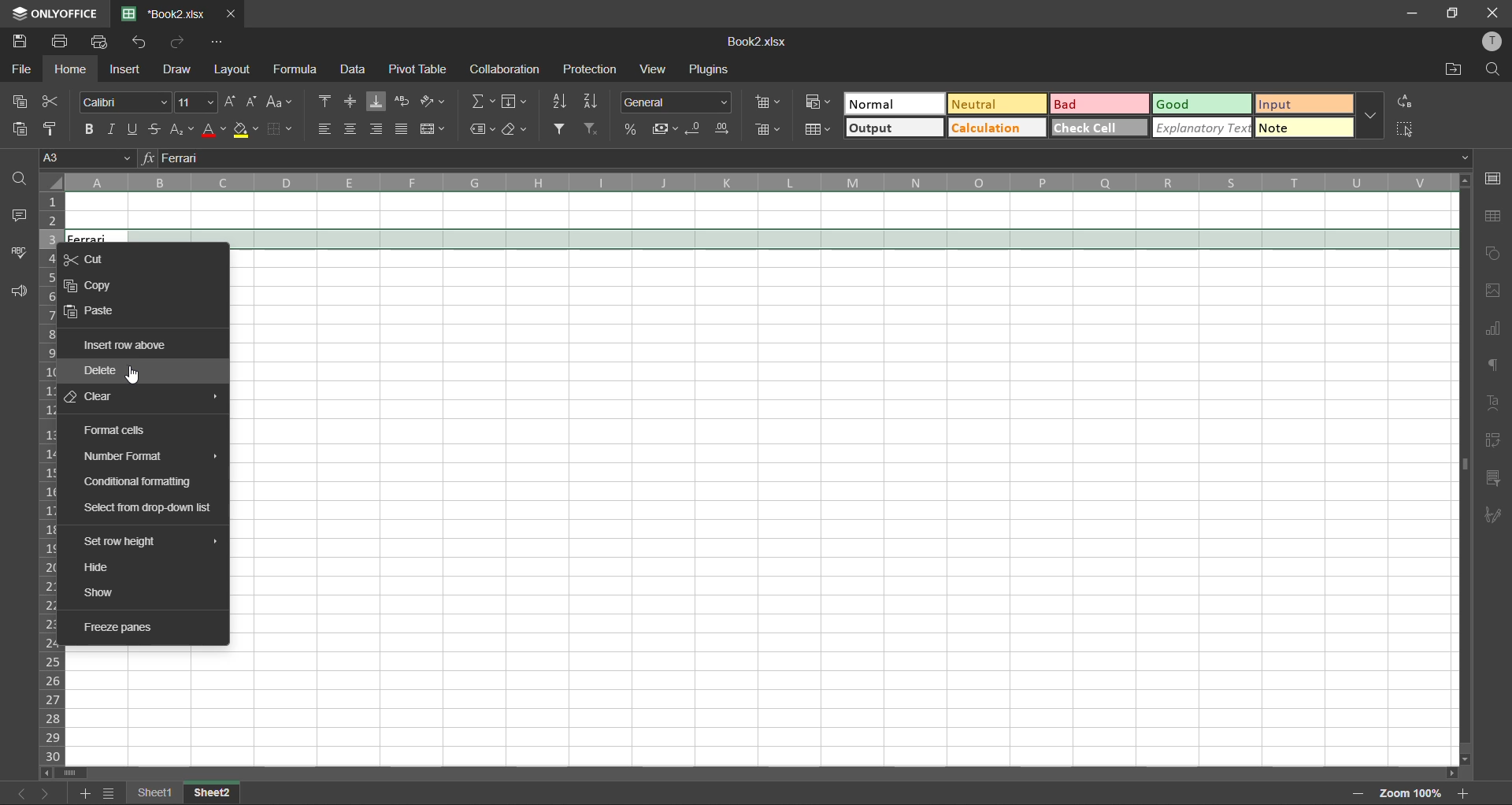 The image size is (1512, 805). I want to click on plugins, so click(711, 72).